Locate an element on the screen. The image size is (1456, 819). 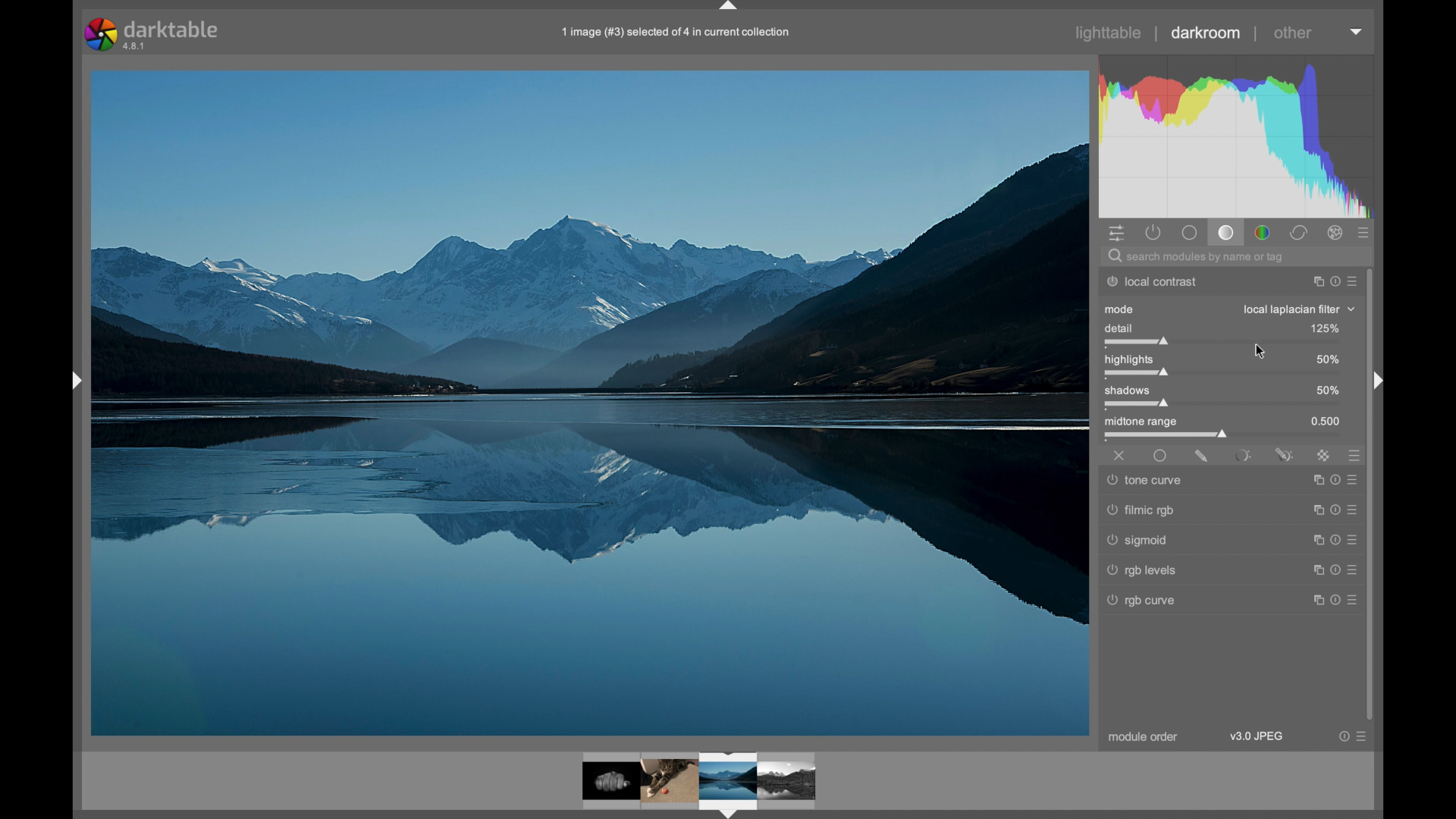
effect is located at coordinates (1335, 233).